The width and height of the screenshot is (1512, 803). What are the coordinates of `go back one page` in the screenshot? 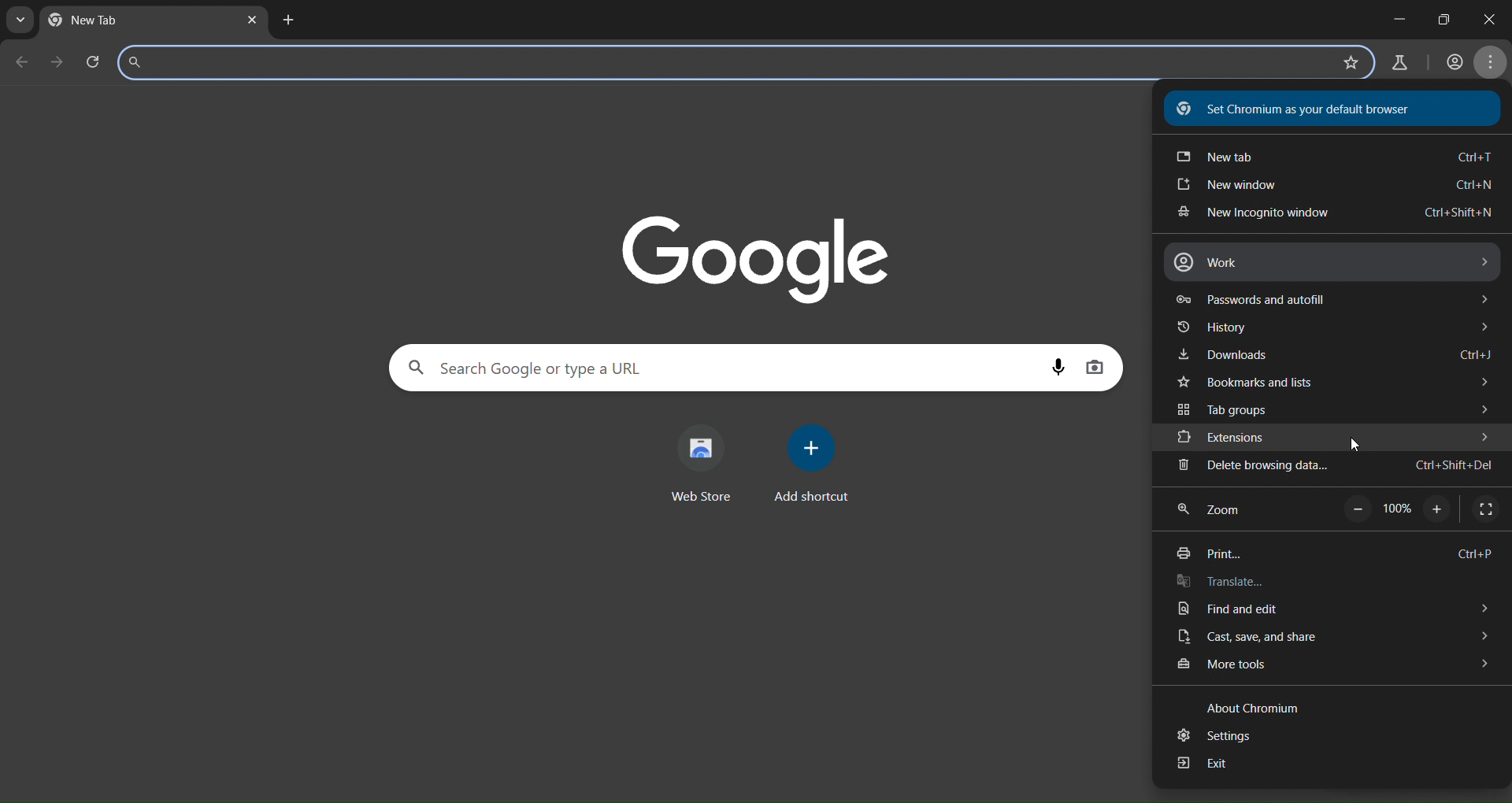 It's located at (24, 61).